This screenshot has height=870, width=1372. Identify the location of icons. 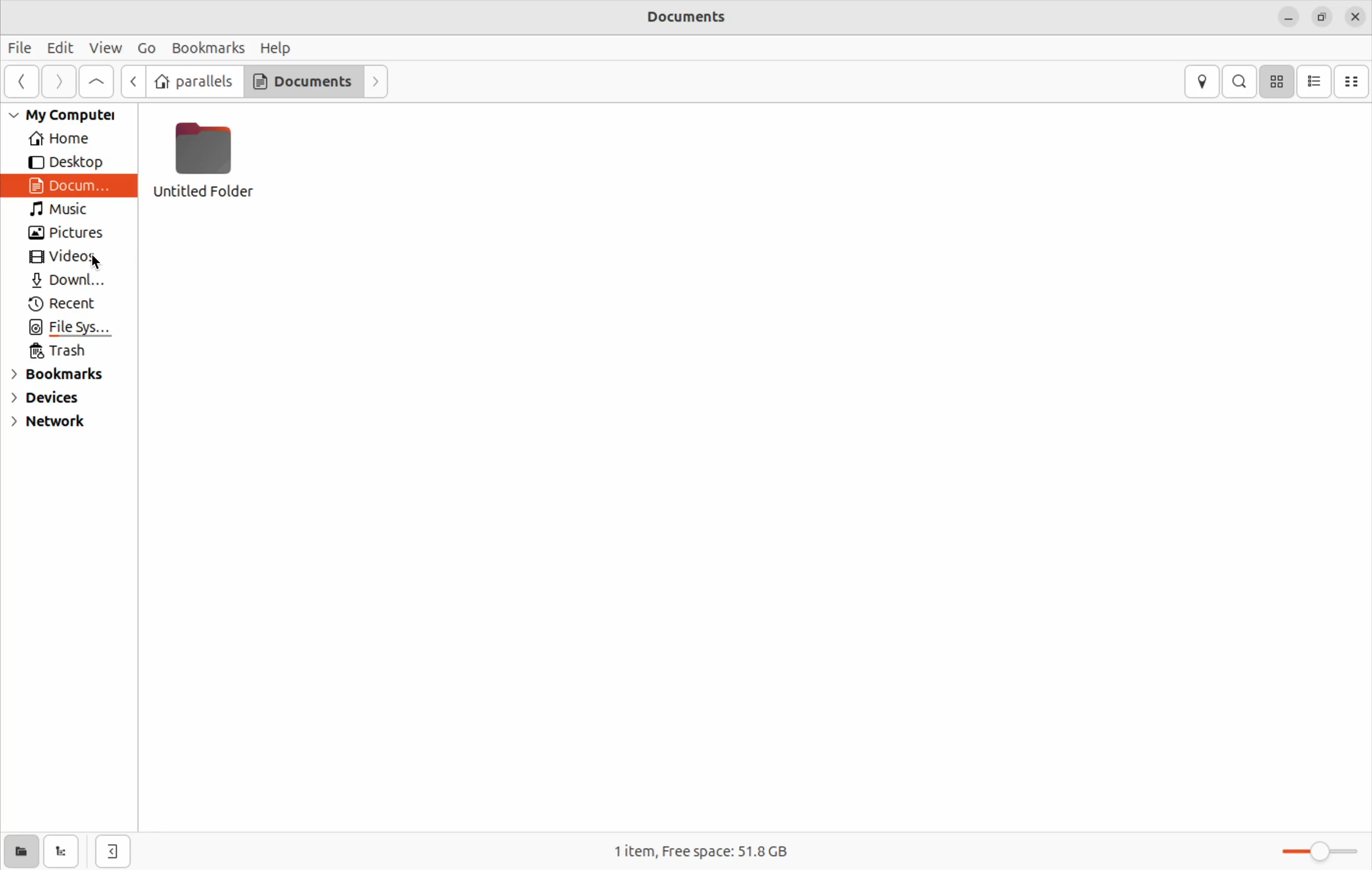
(1276, 80).